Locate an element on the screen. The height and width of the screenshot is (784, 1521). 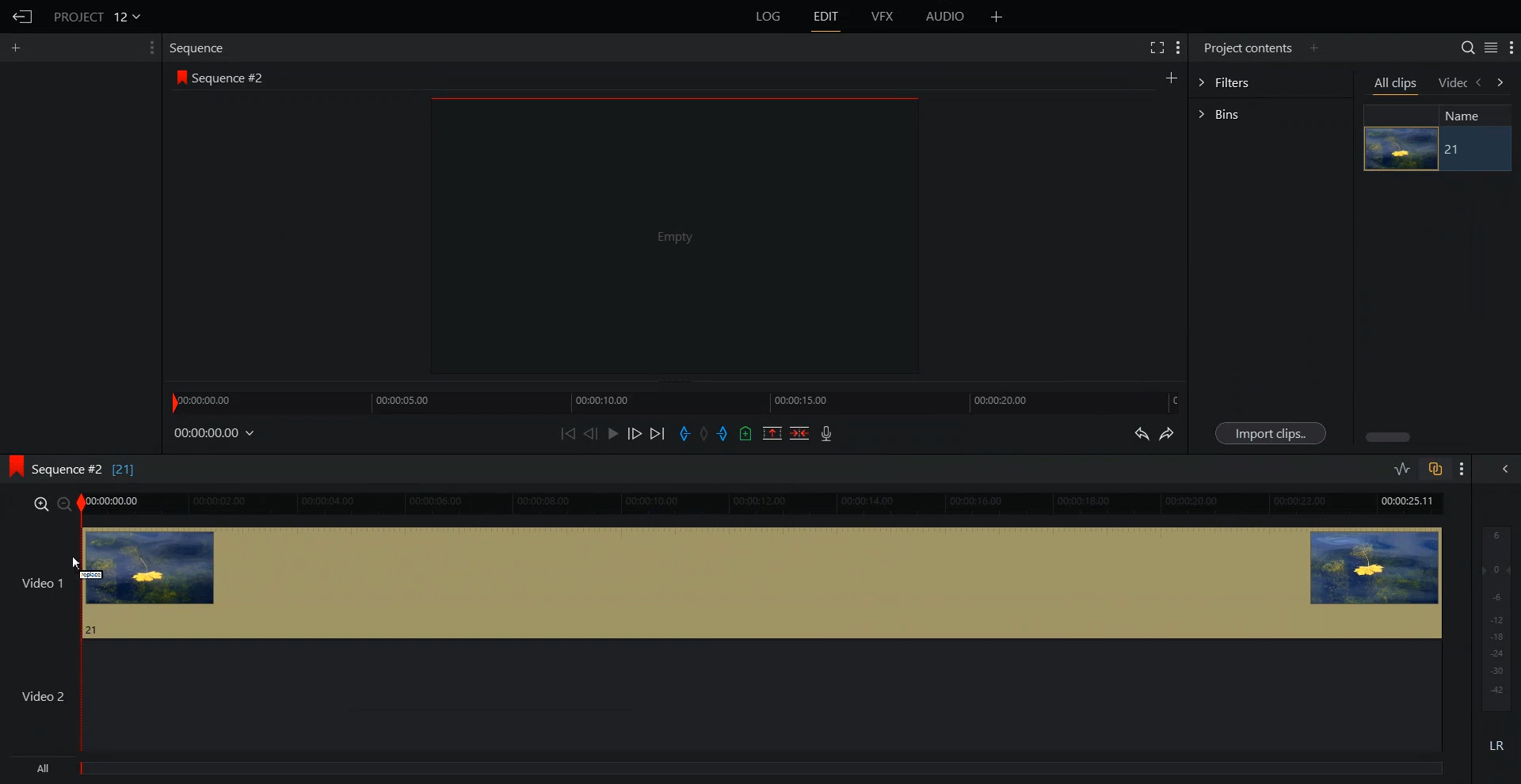
File Preview is located at coordinates (665, 236).